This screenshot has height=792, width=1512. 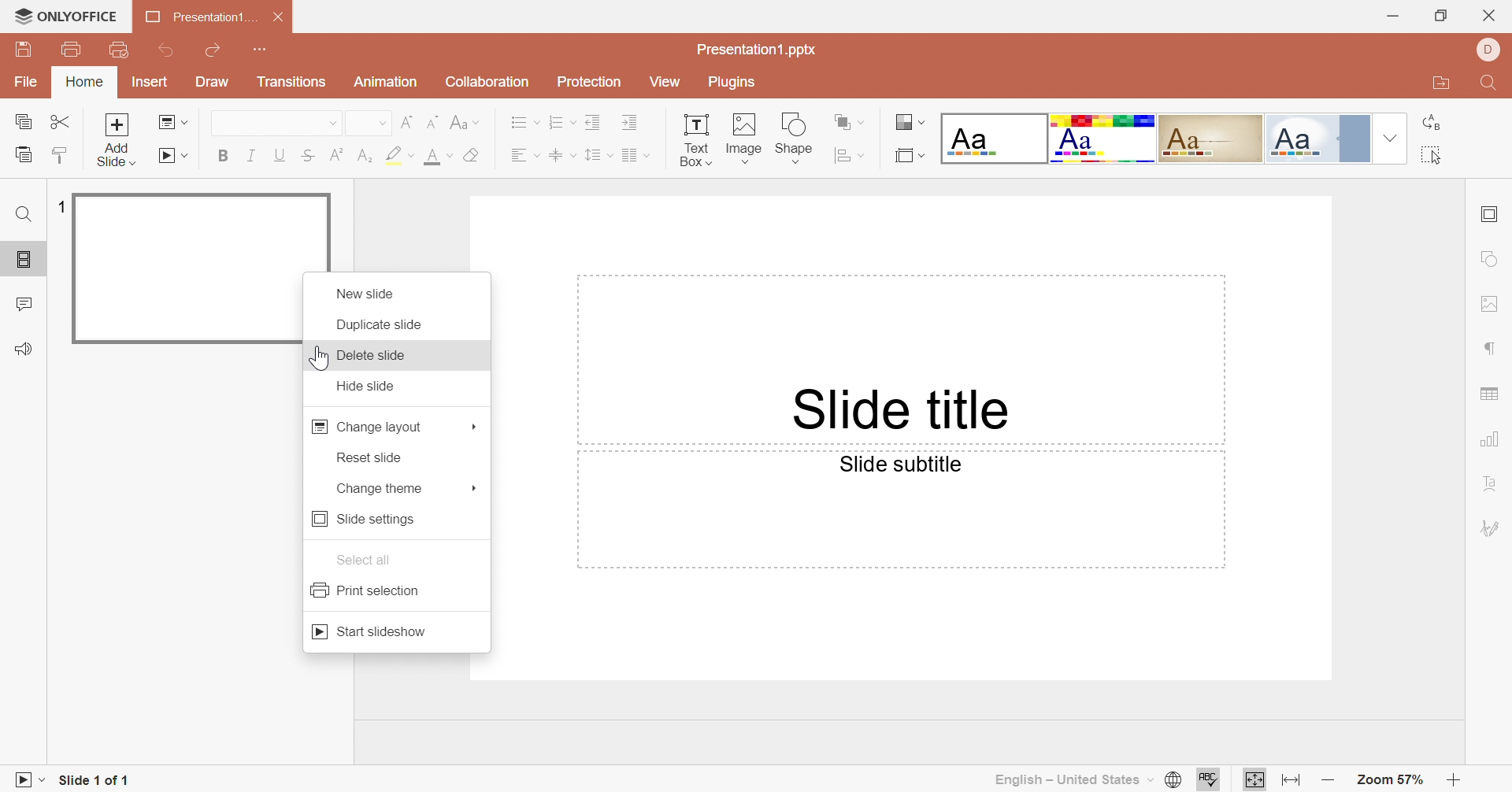 I want to click on Subscript, so click(x=366, y=155).